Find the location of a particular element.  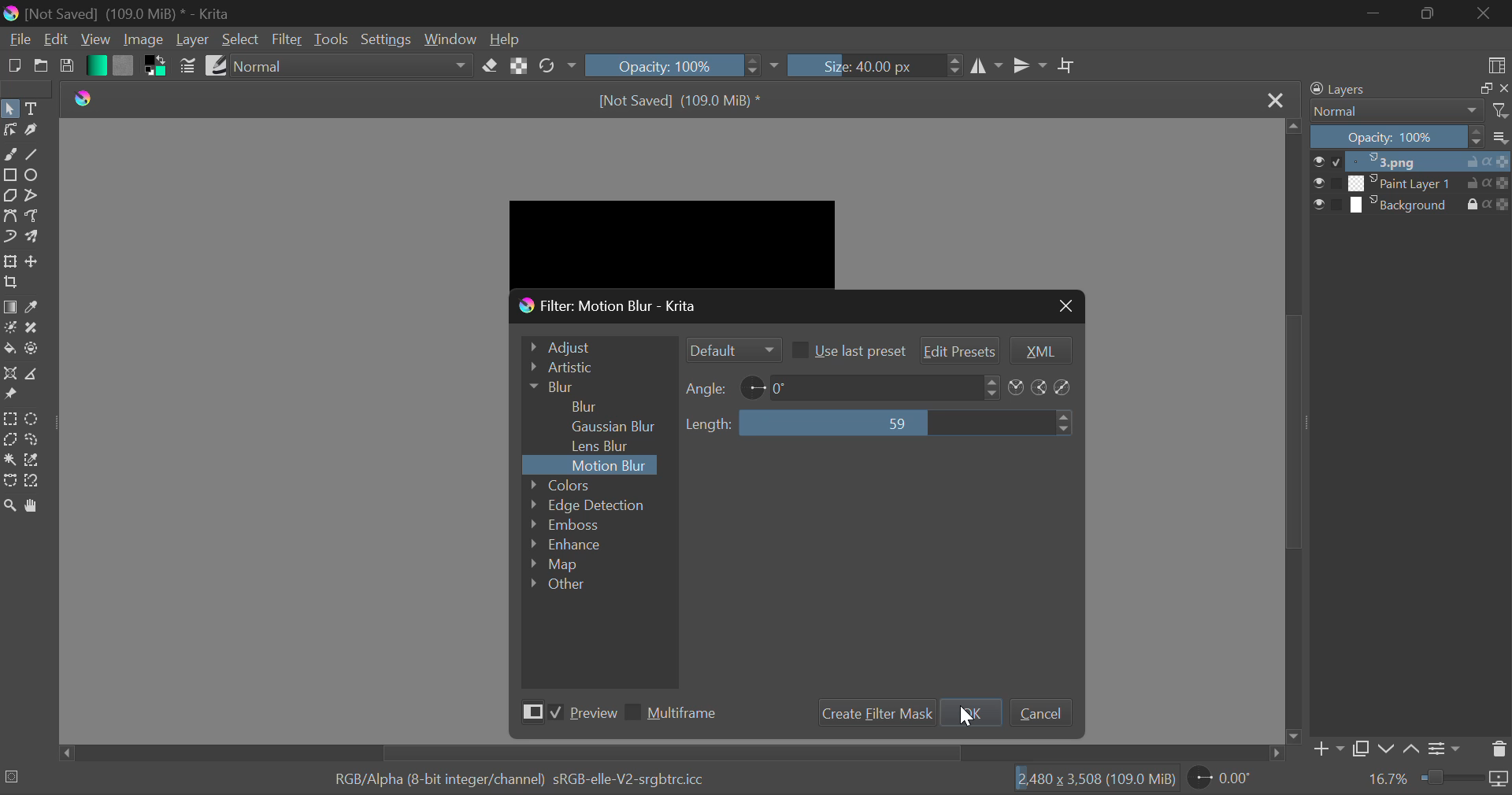

0 degree is located at coordinates (875, 386).